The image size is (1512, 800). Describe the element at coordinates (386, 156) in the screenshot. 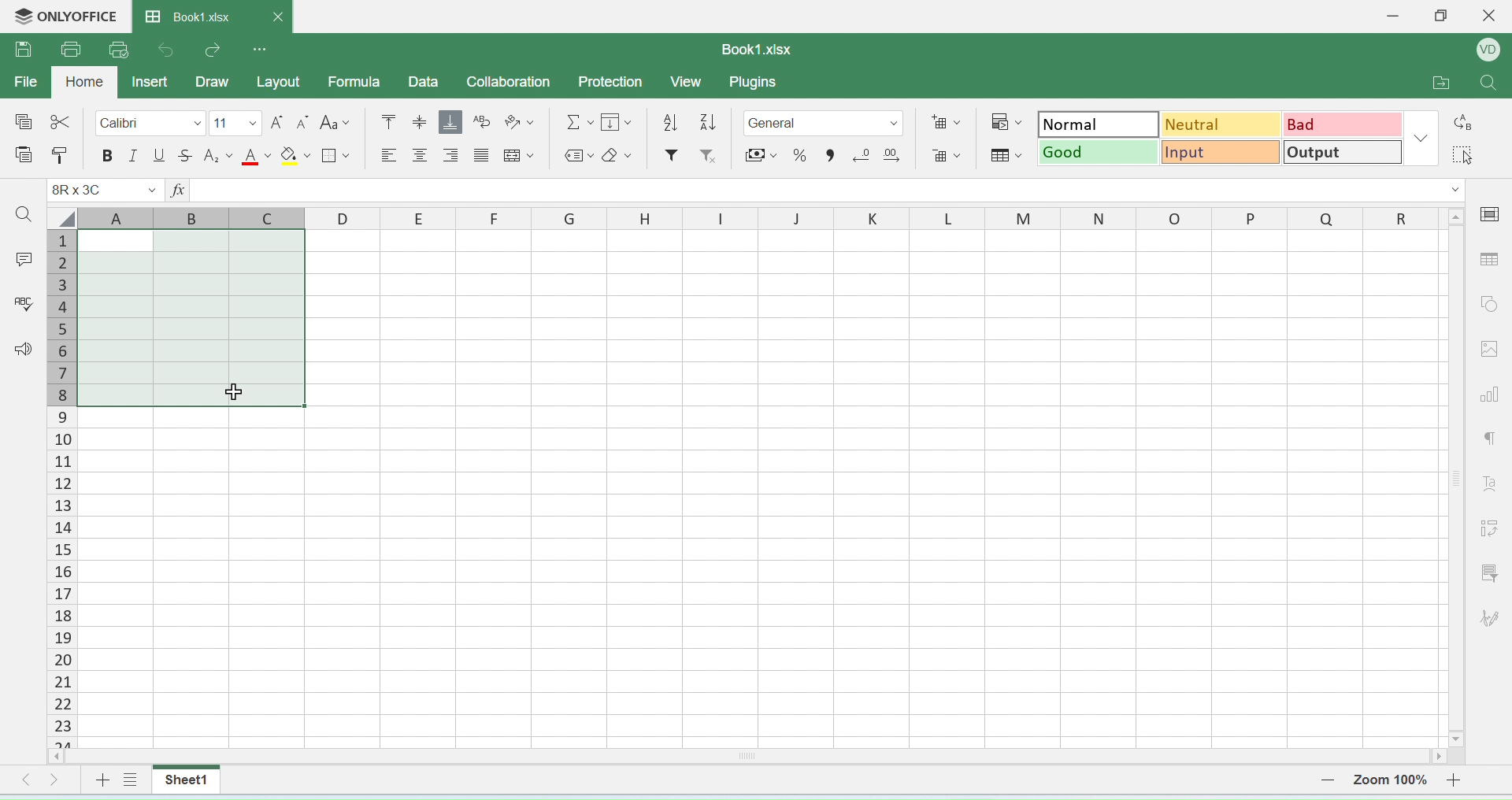

I see `align left` at that location.